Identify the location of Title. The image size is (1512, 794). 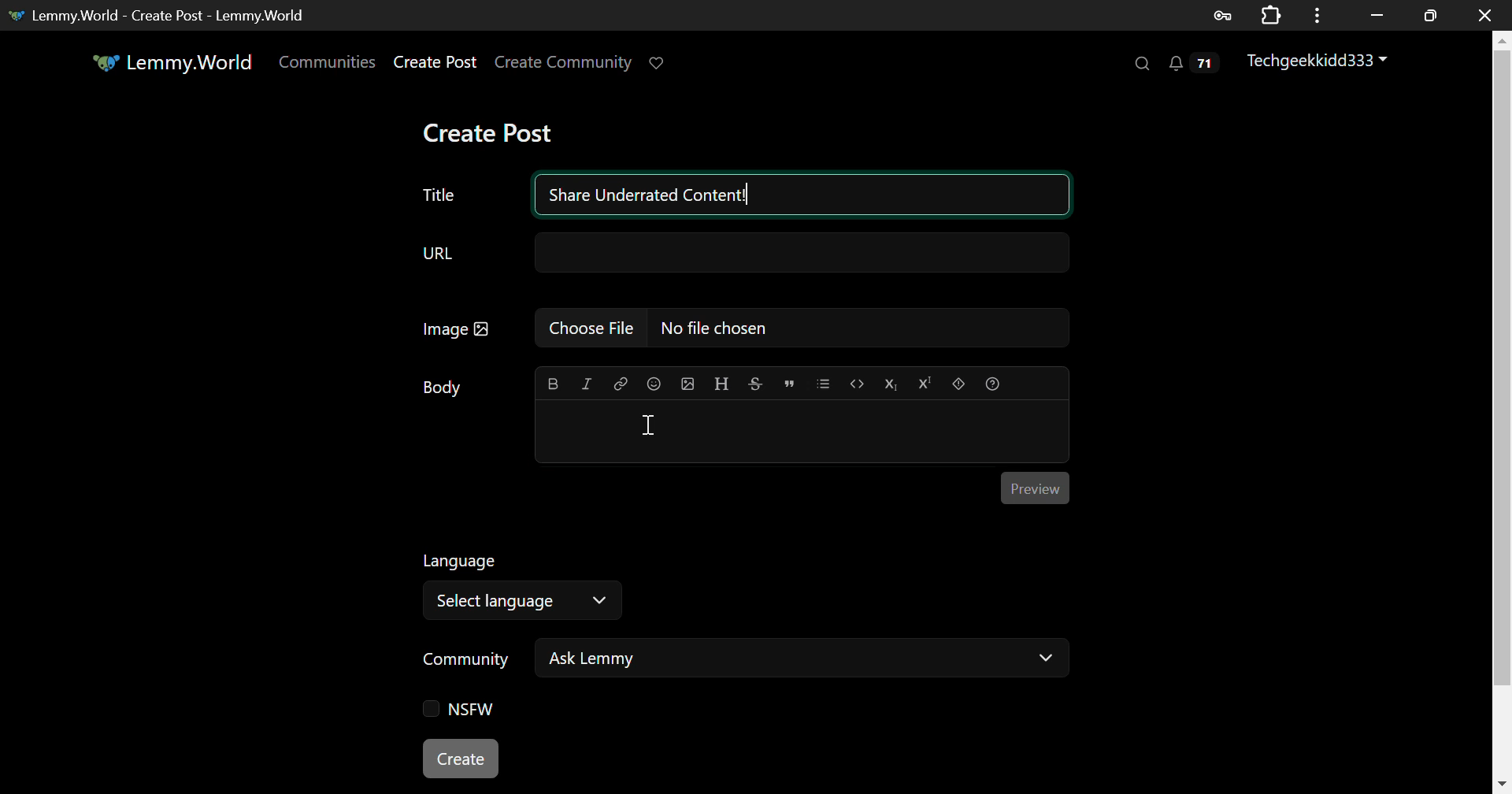
(438, 195).